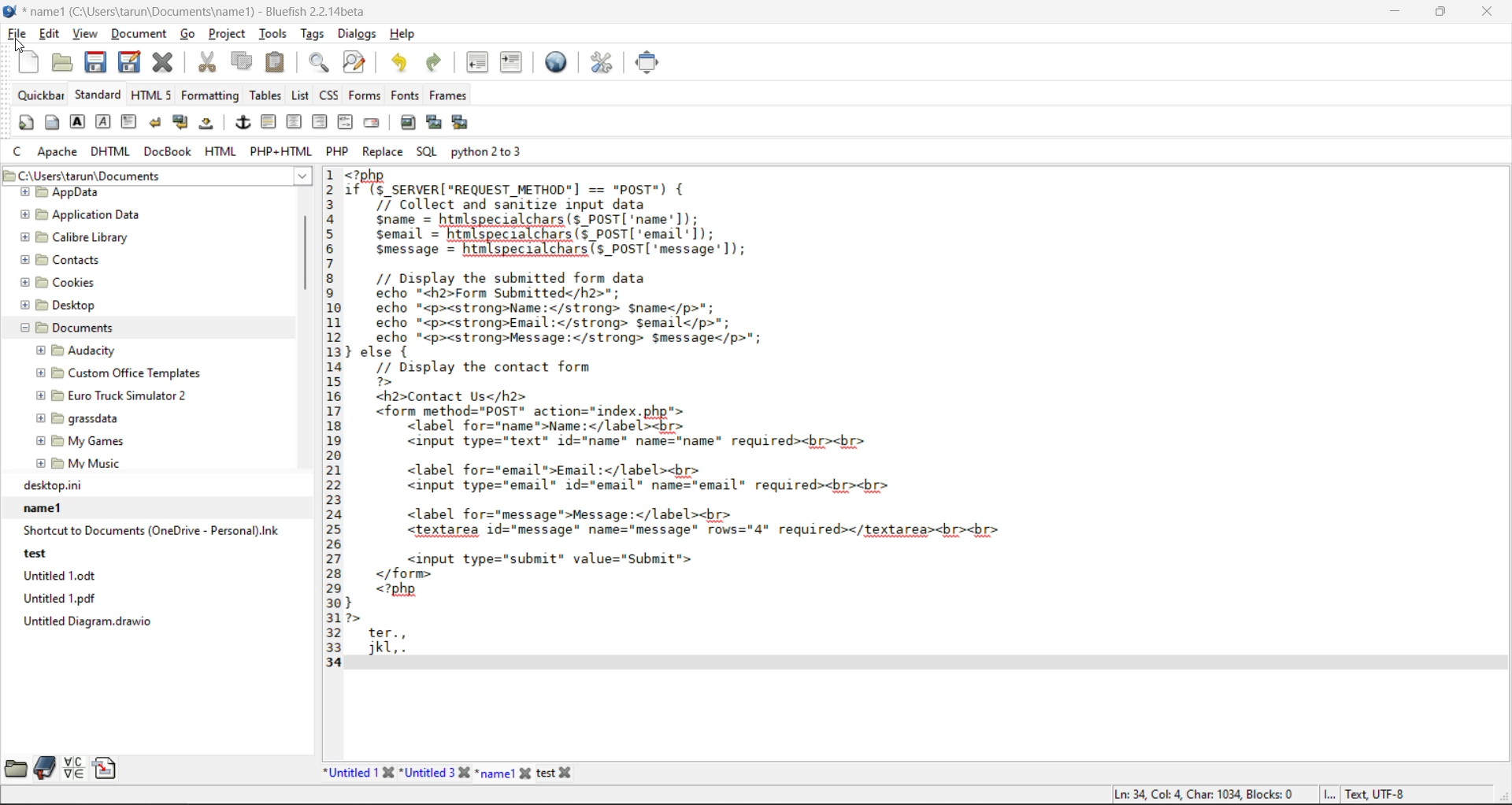  What do you see at coordinates (51, 35) in the screenshot?
I see `edit` at bounding box center [51, 35].